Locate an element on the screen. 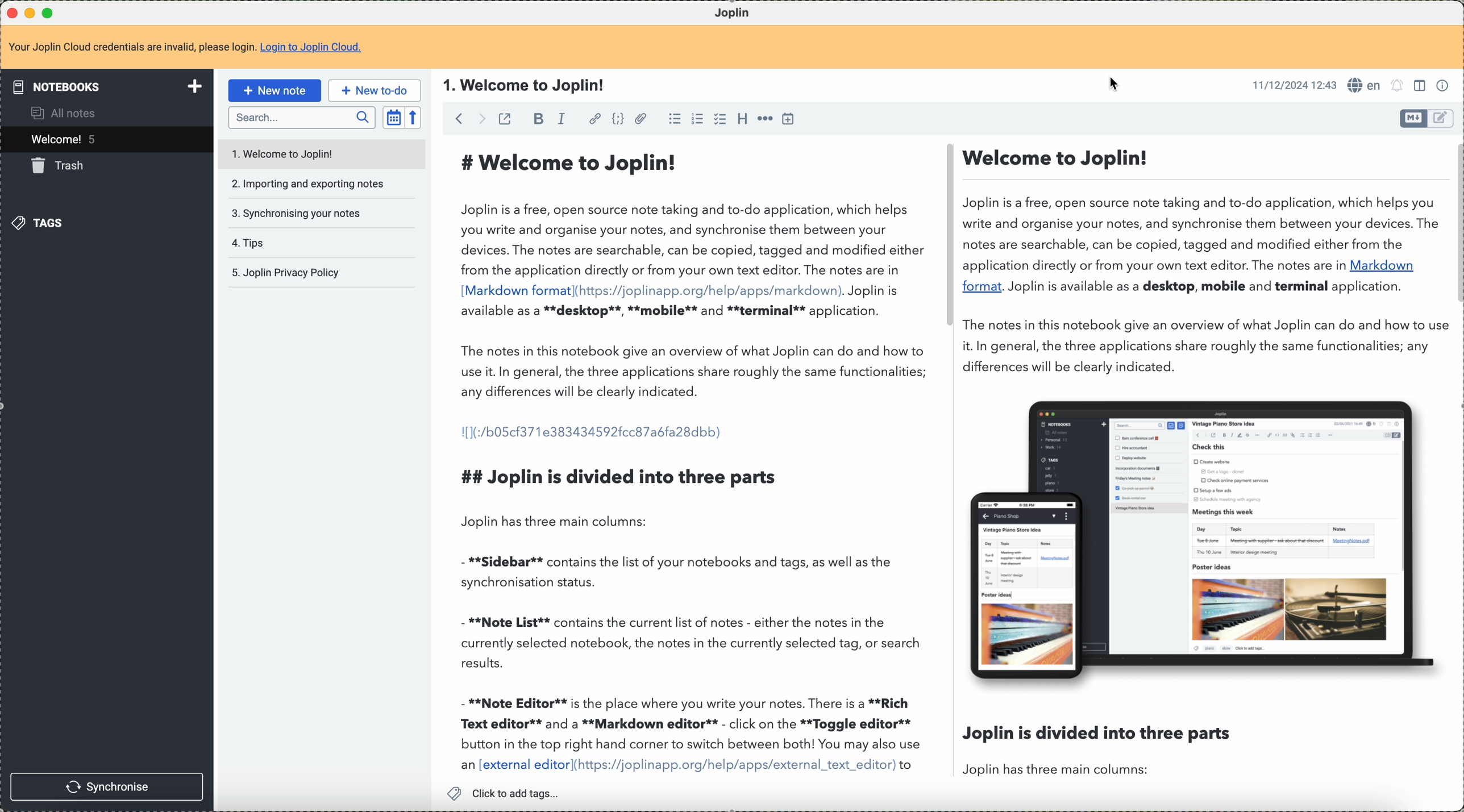  click on welcome note is located at coordinates (105, 141).